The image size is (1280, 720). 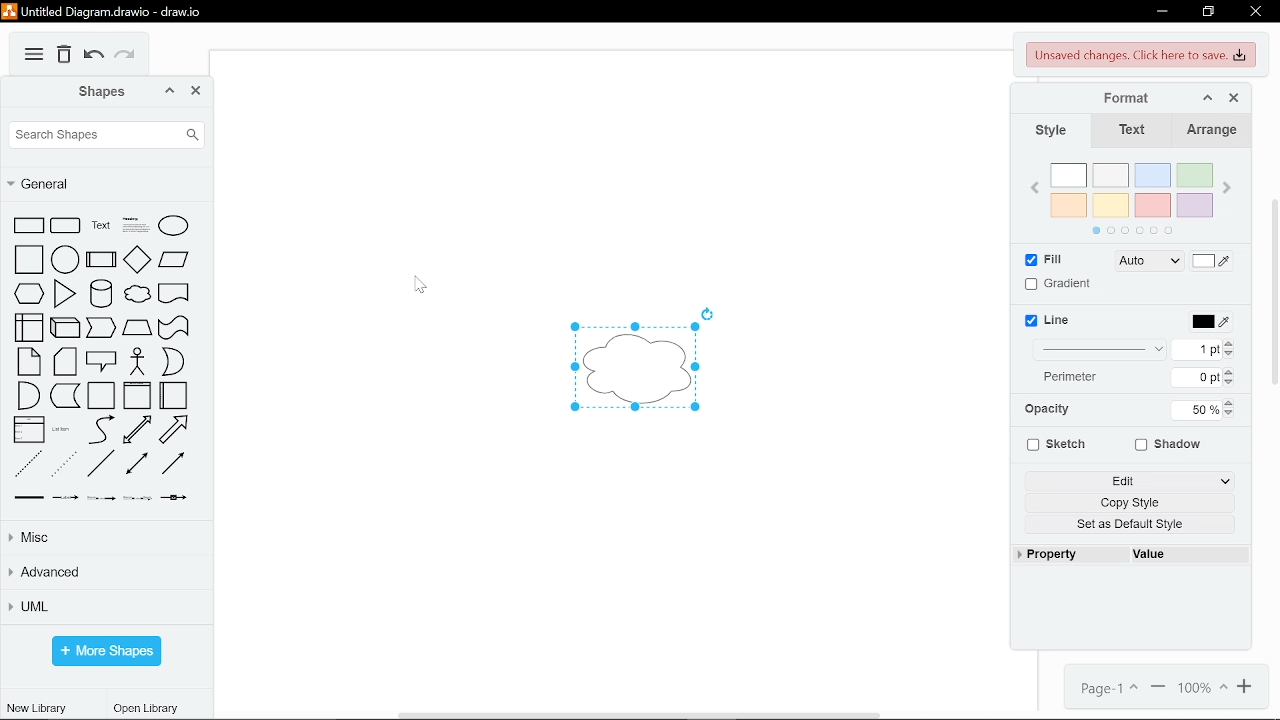 What do you see at coordinates (175, 397) in the screenshot?
I see `horizontal container` at bounding box center [175, 397].